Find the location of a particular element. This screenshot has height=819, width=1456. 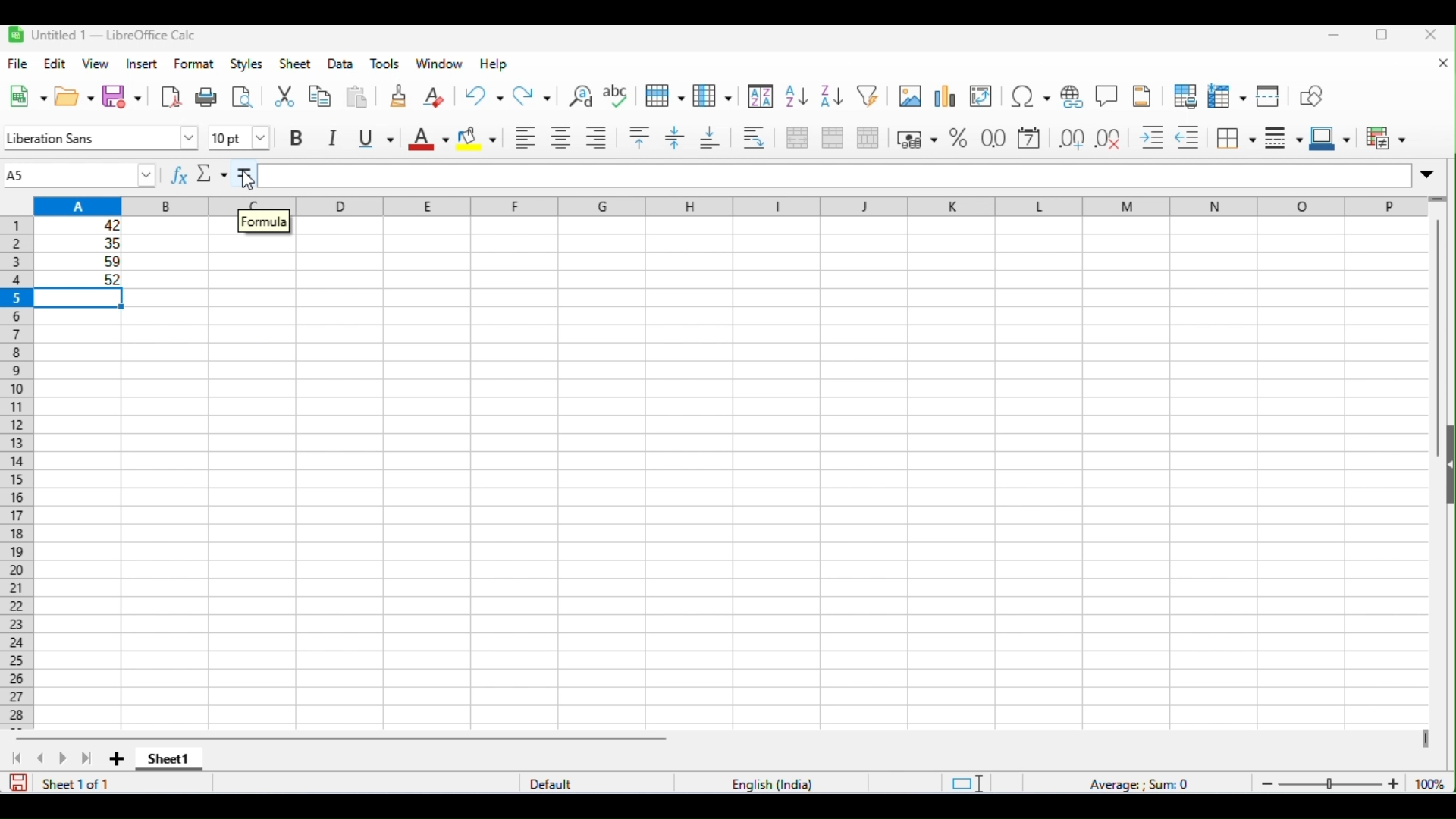

conditional is located at coordinates (1384, 139).